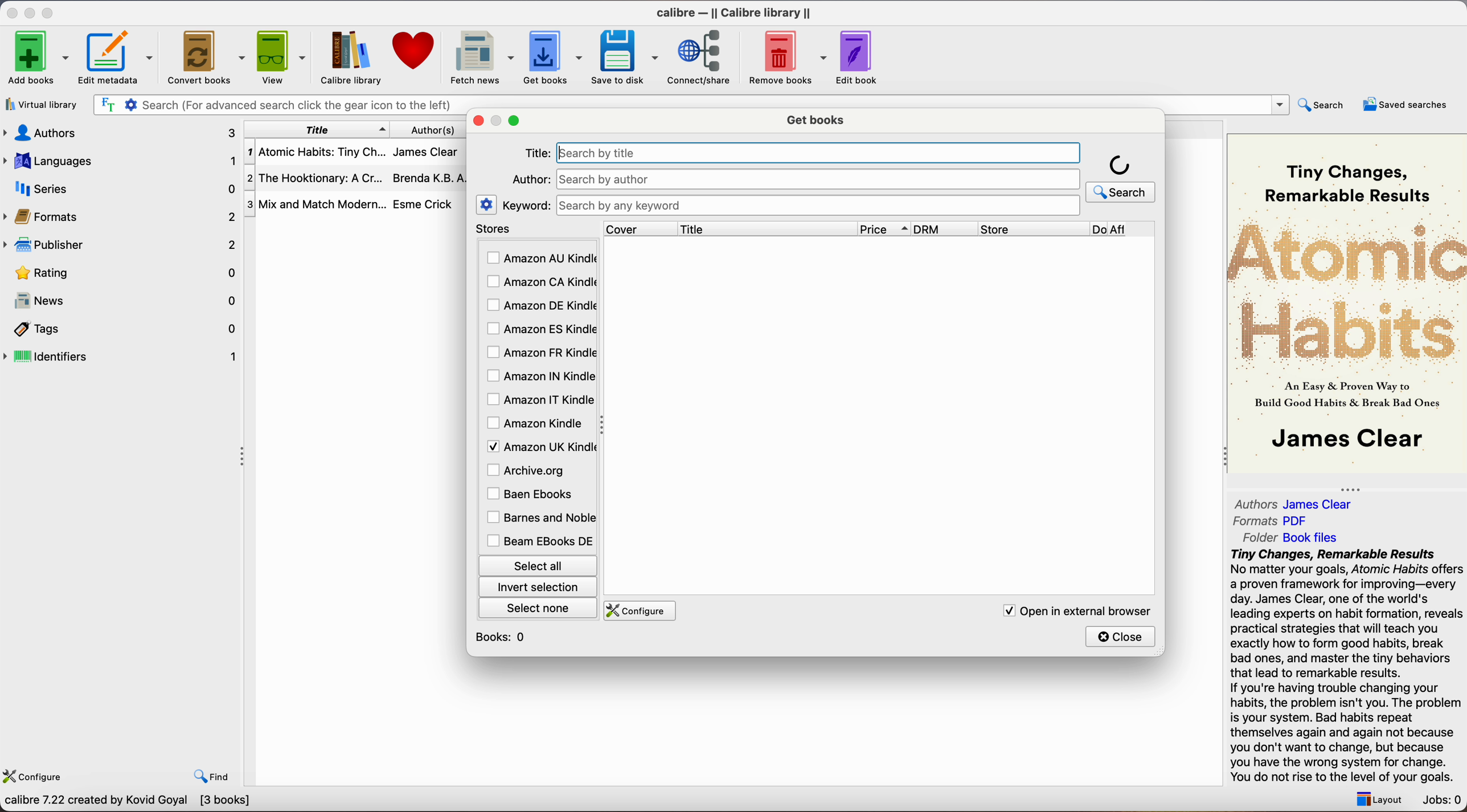 The image size is (1467, 812). What do you see at coordinates (425, 150) in the screenshot?
I see `James Clear` at bounding box center [425, 150].